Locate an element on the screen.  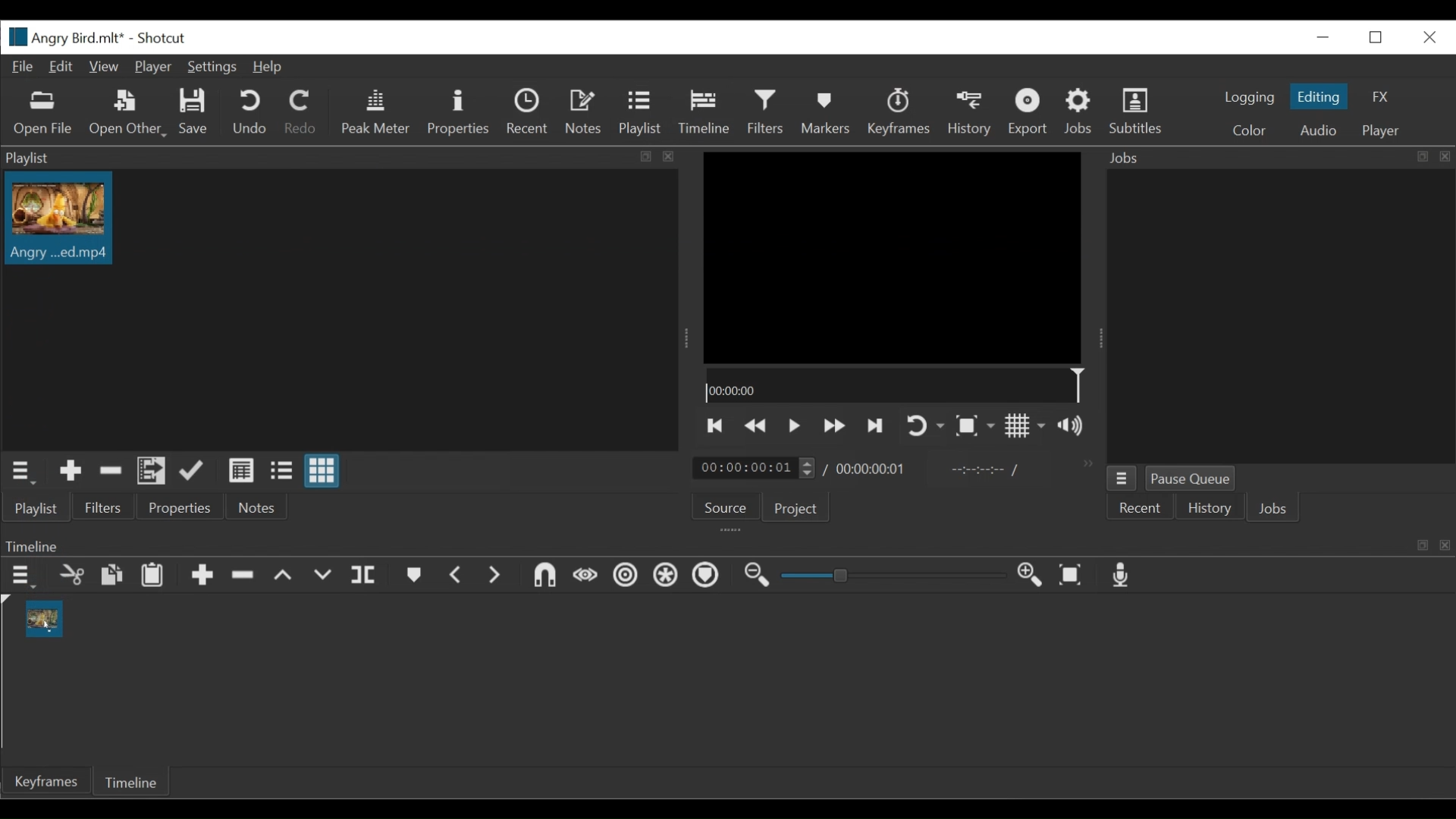
View is located at coordinates (102, 65).